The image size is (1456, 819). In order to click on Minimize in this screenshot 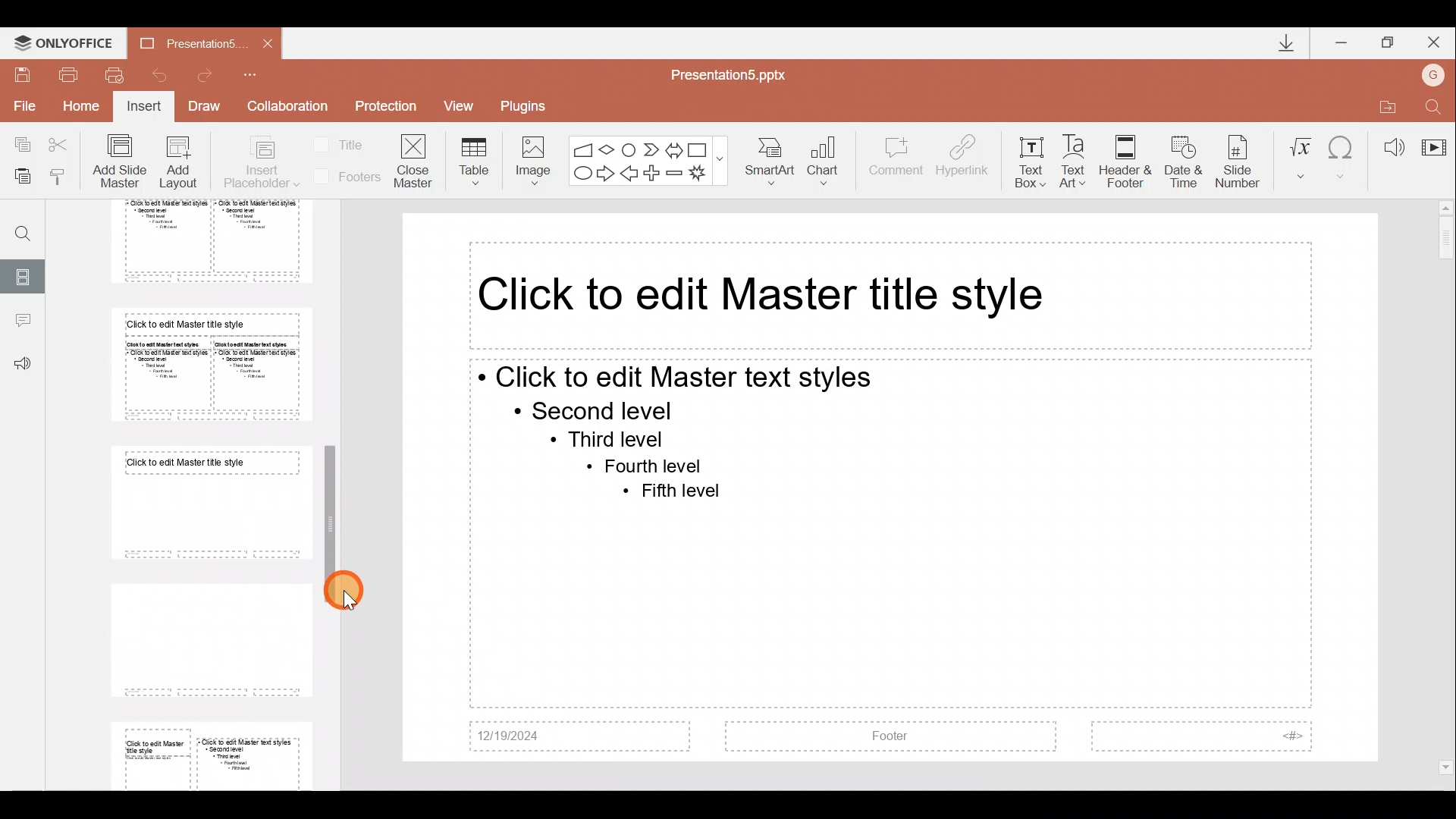, I will do `click(1342, 39)`.